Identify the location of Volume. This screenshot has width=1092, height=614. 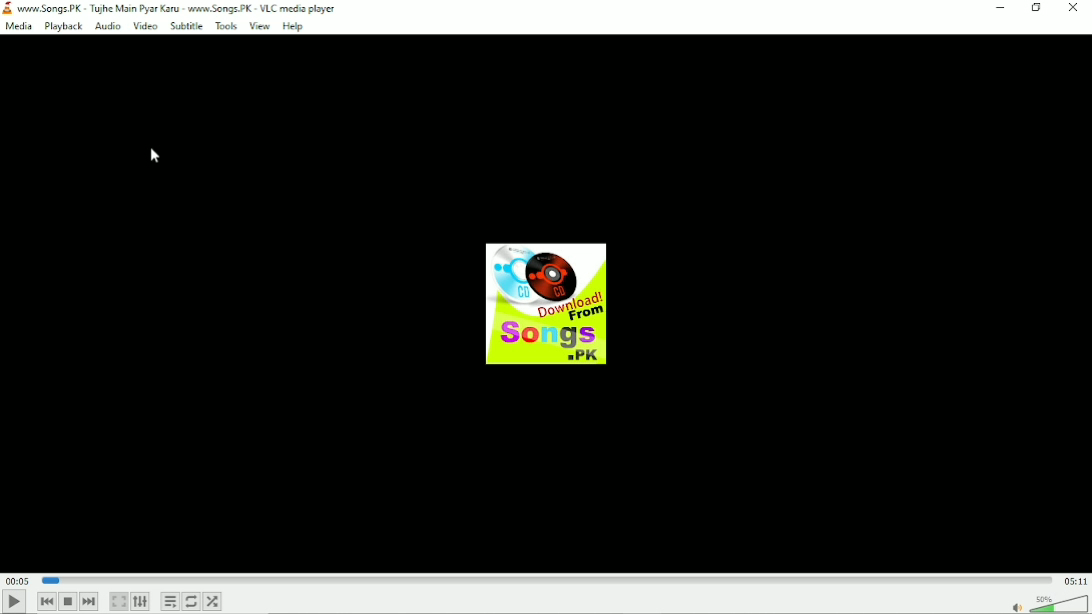
(1048, 602).